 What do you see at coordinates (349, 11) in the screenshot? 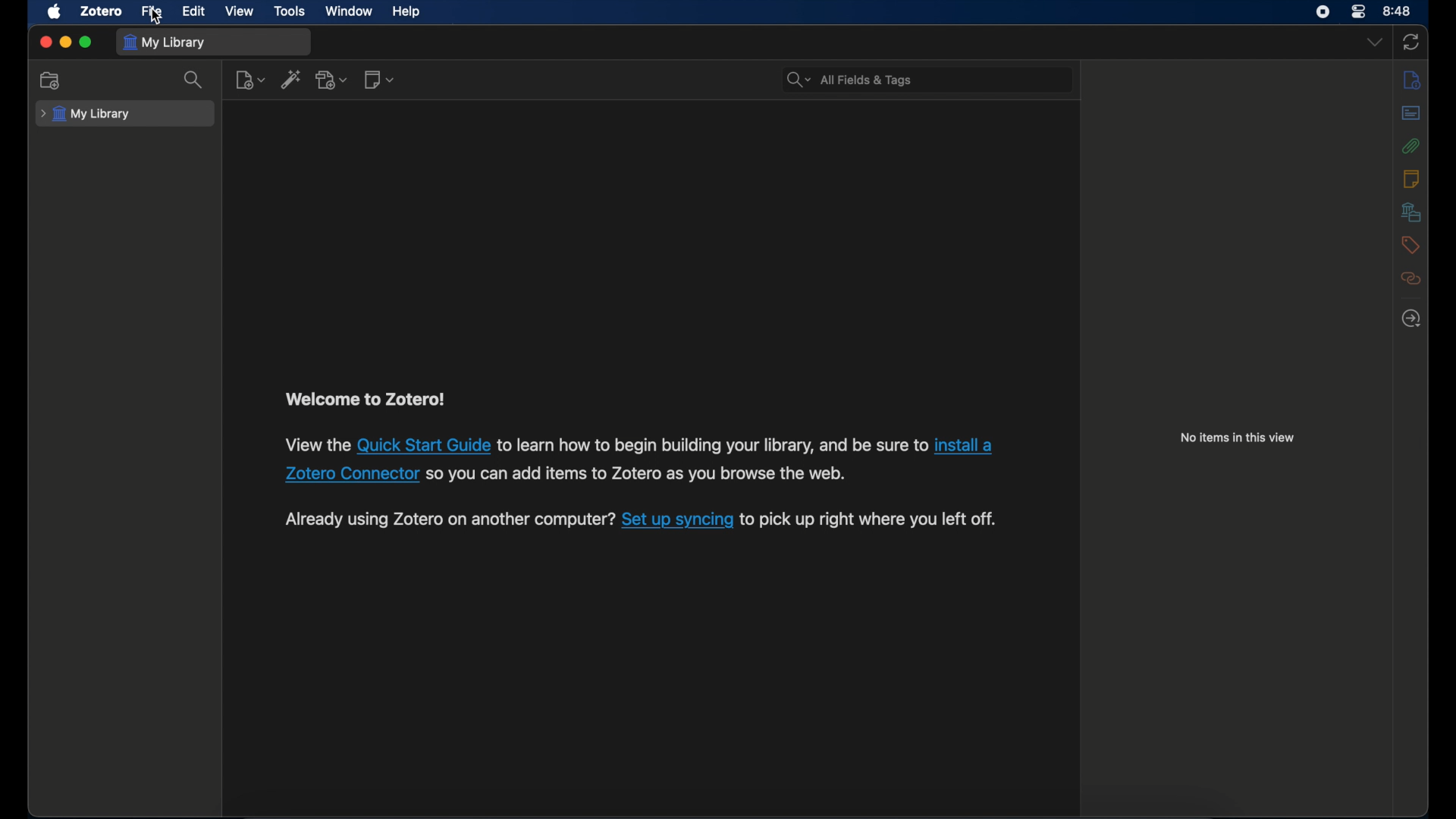
I see `window` at bounding box center [349, 11].